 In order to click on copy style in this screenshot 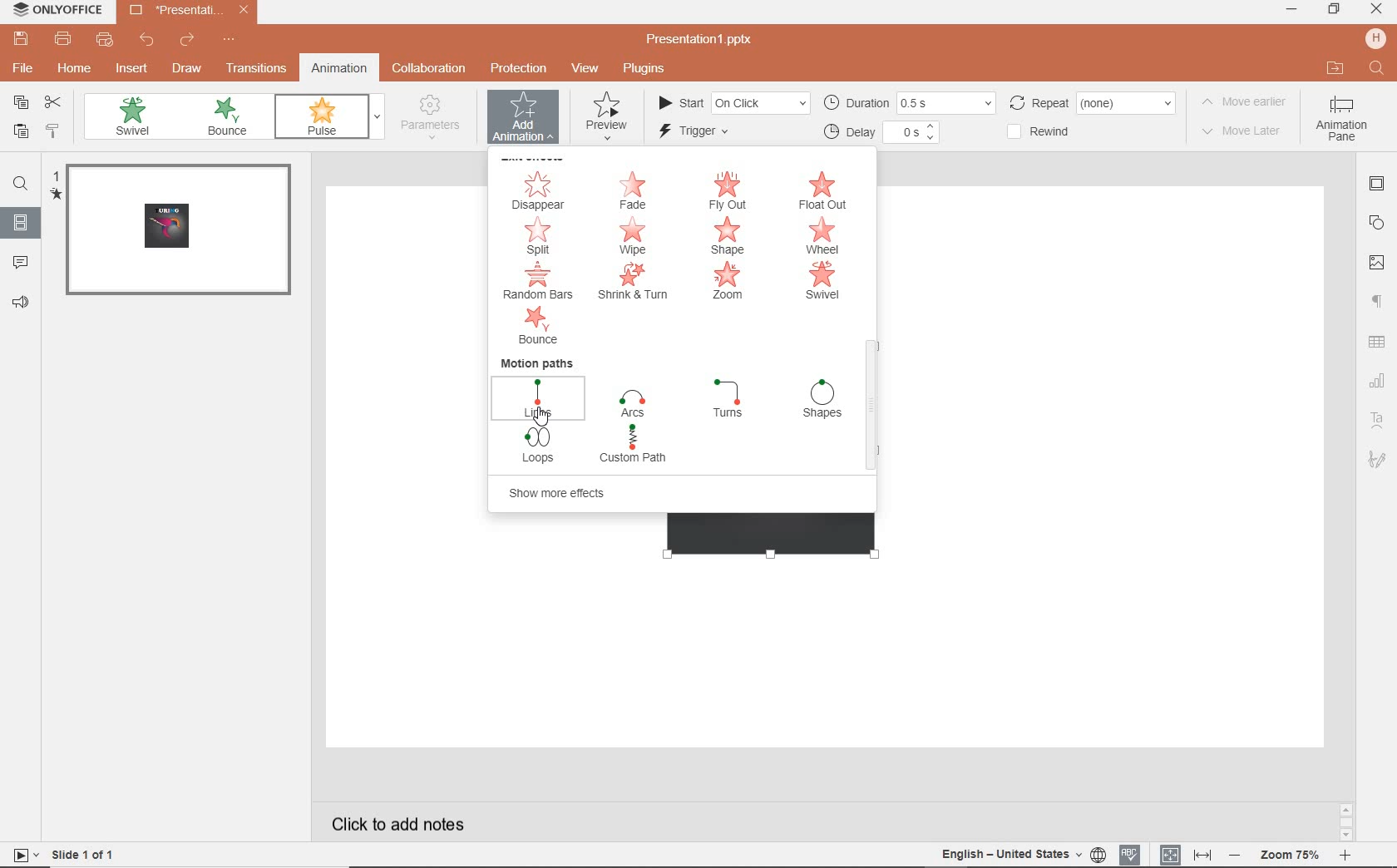, I will do `click(54, 131)`.